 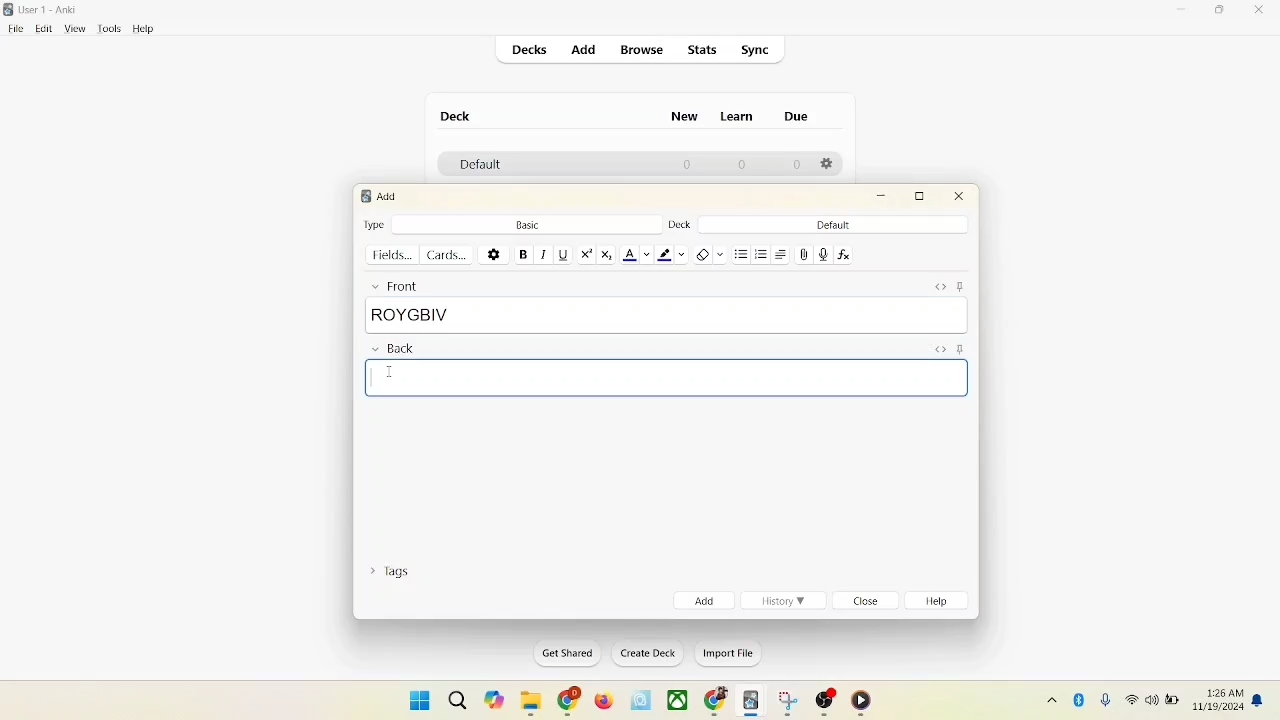 I want to click on learn, so click(x=742, y=117).